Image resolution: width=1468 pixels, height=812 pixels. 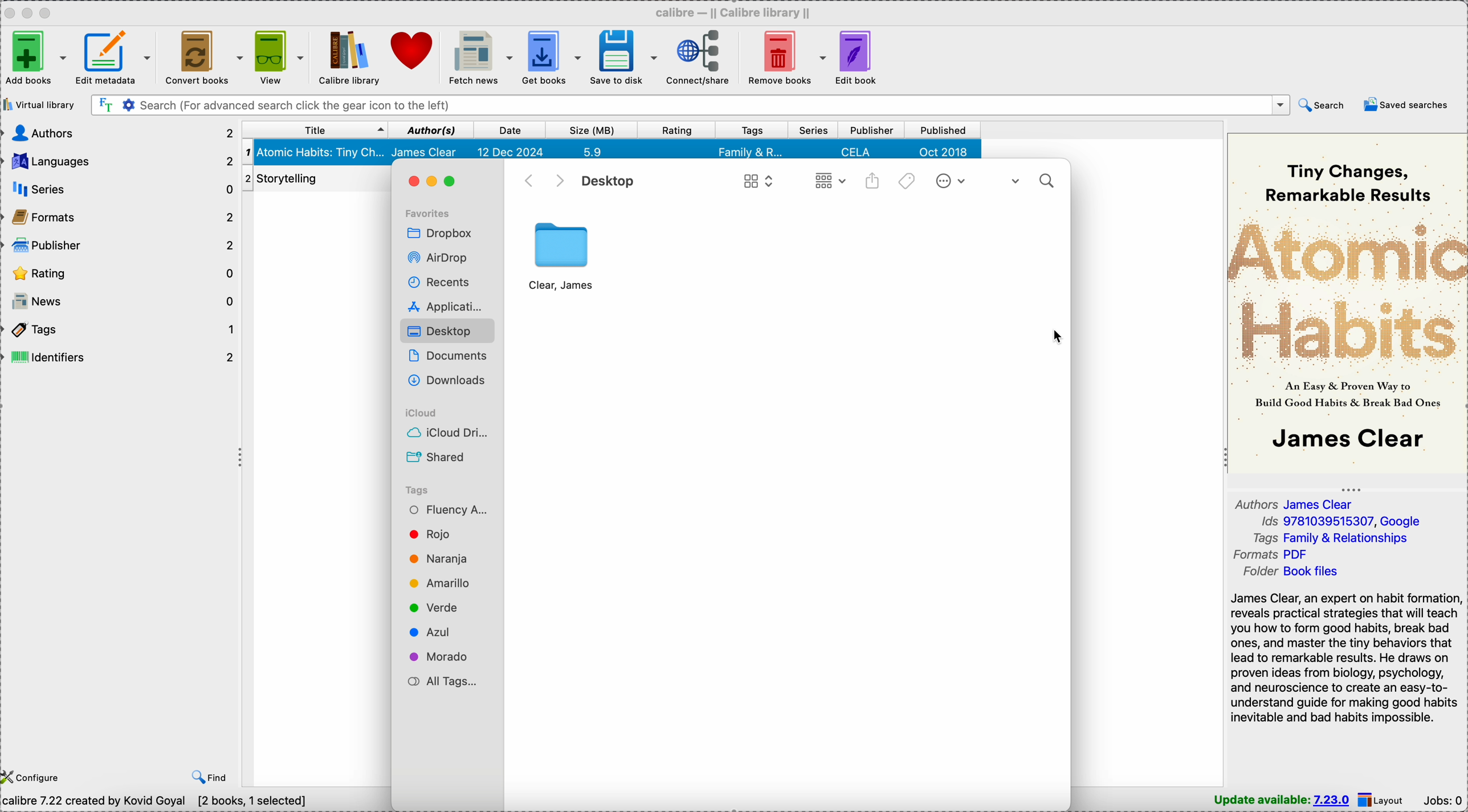 I want to click on maximize Calibre, so click(x=48, y=11).